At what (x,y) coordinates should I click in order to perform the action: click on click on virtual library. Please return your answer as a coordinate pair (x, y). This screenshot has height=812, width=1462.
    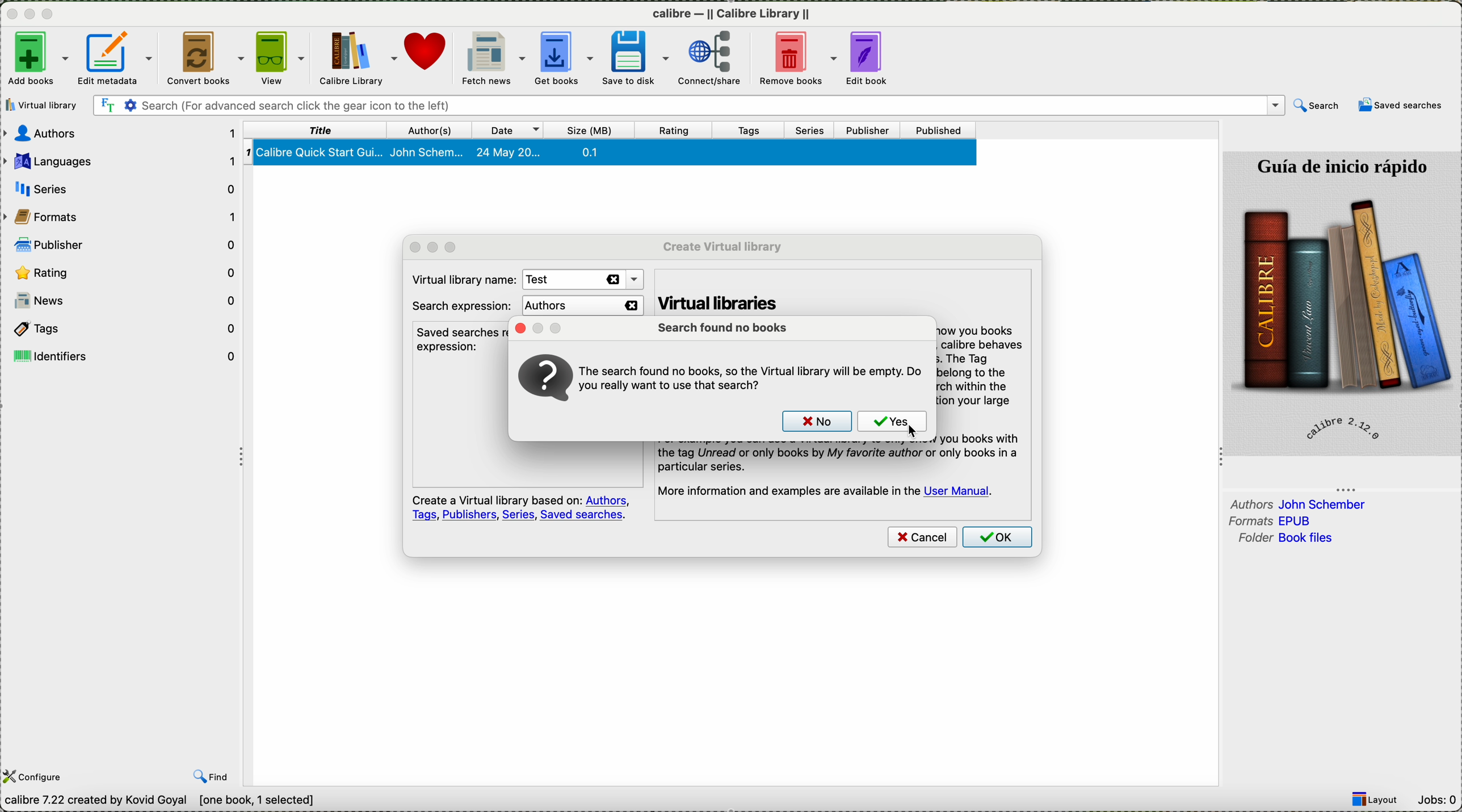
    Looking at the image, I should click on (44, 105).